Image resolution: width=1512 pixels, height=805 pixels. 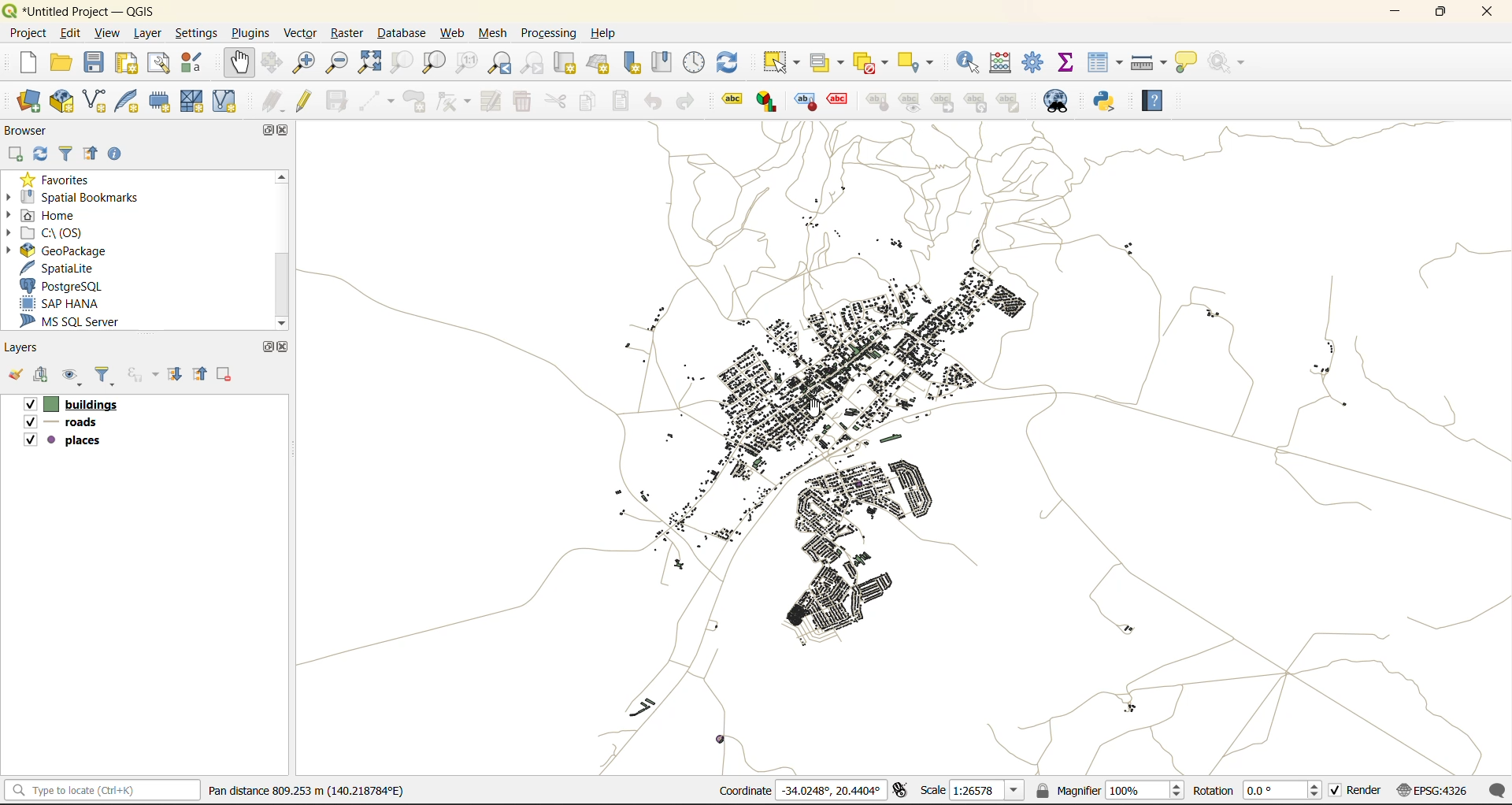 What do you see at coordinates (24, 348) in the screenshot?
I see `layers` at bounding box center [24, 348].